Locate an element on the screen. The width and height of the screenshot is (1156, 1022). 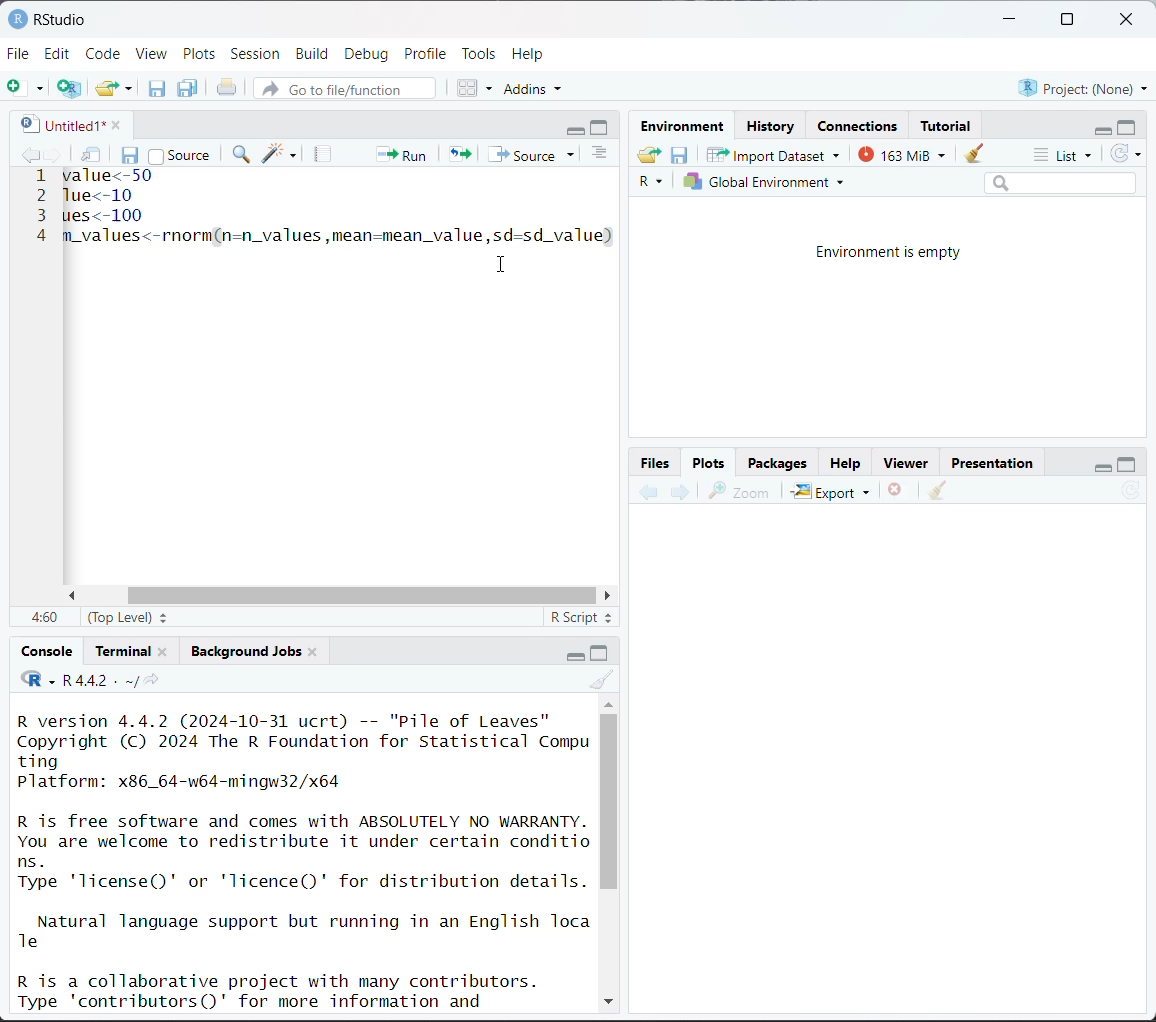
up is located at coordinates (608, 702).